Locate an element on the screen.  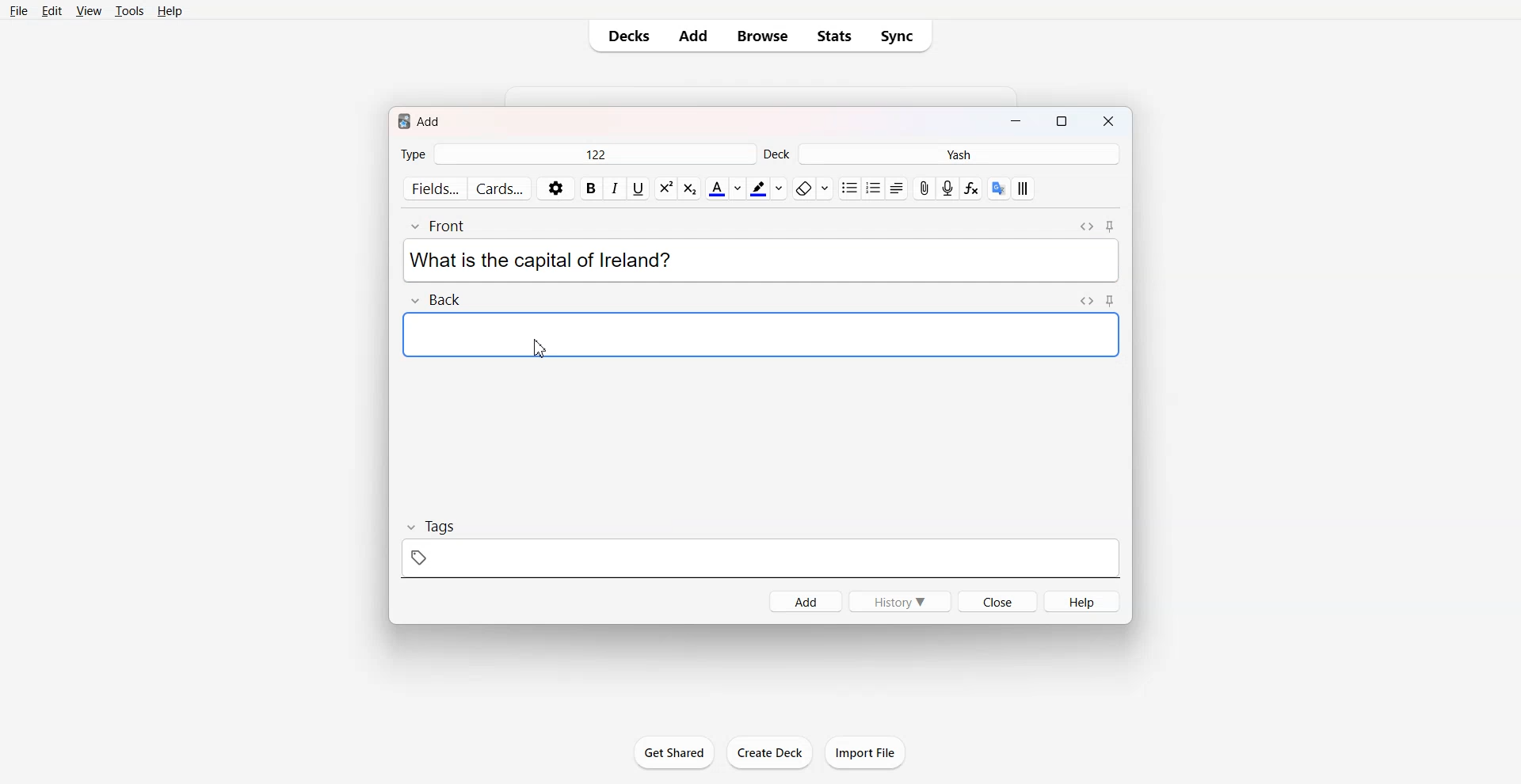
Type is located at coordinates (577, 155).